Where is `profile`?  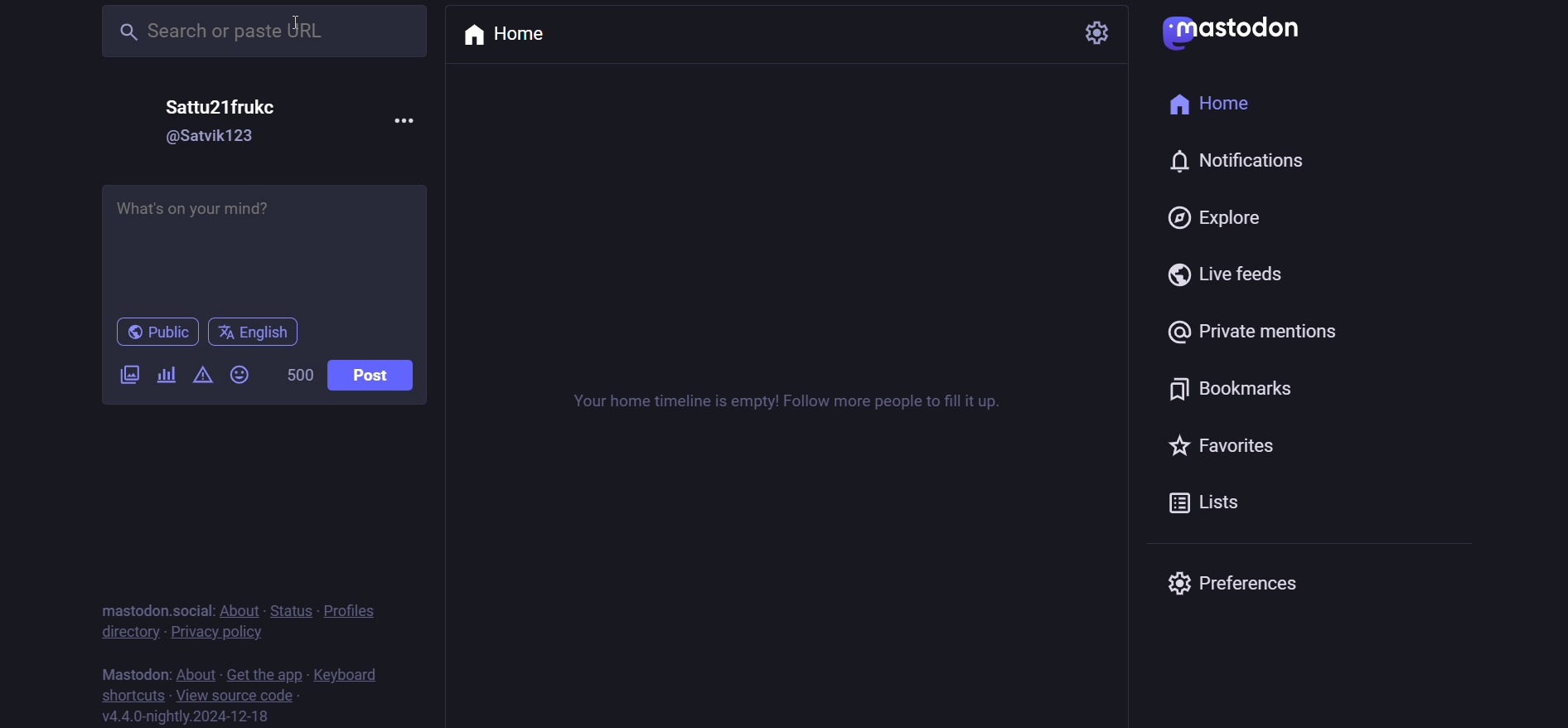 profile is located at coordinates (351, 609).